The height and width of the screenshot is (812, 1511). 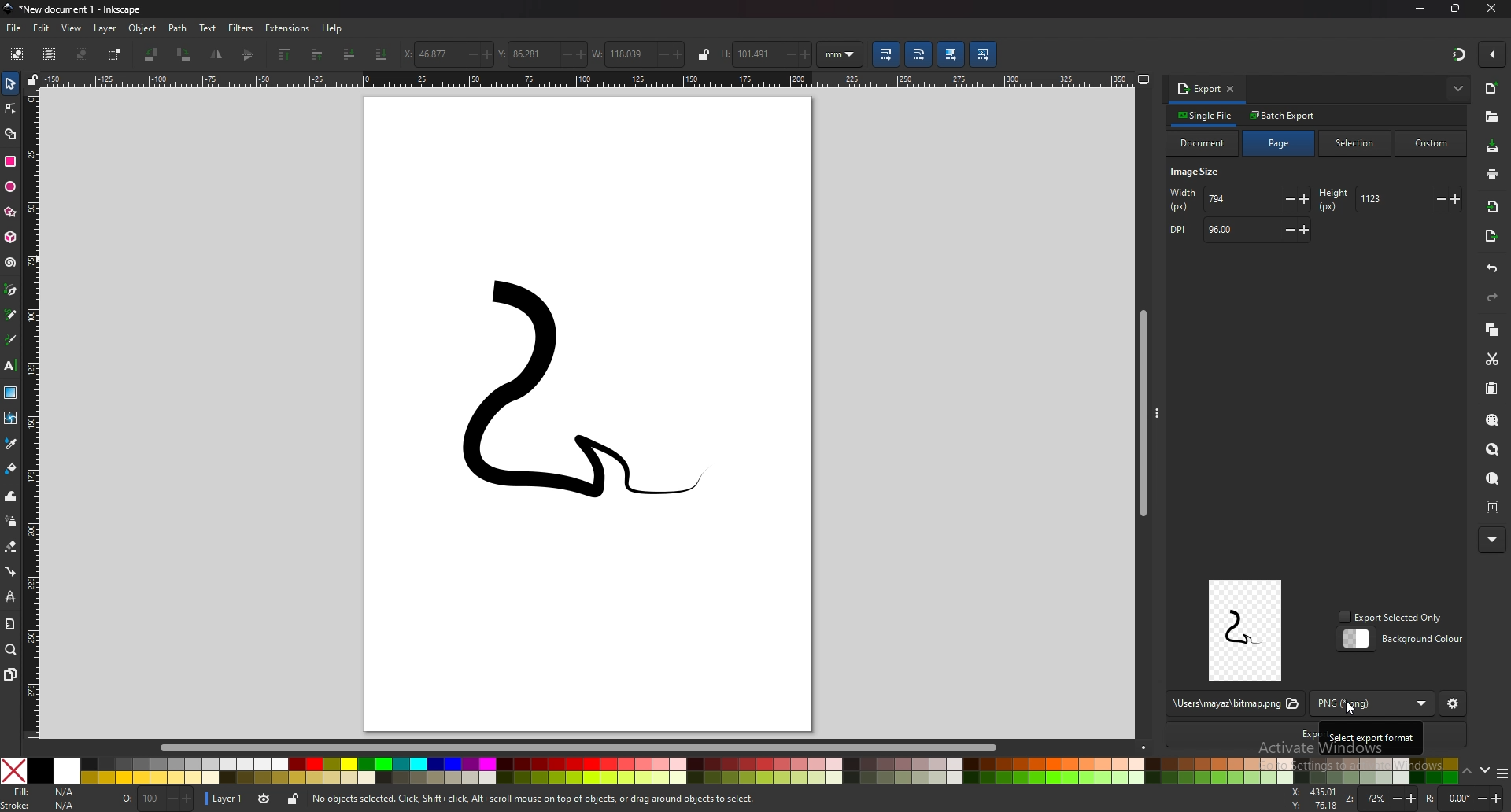 I want to click on batch export, so click(x=1284, y=115).